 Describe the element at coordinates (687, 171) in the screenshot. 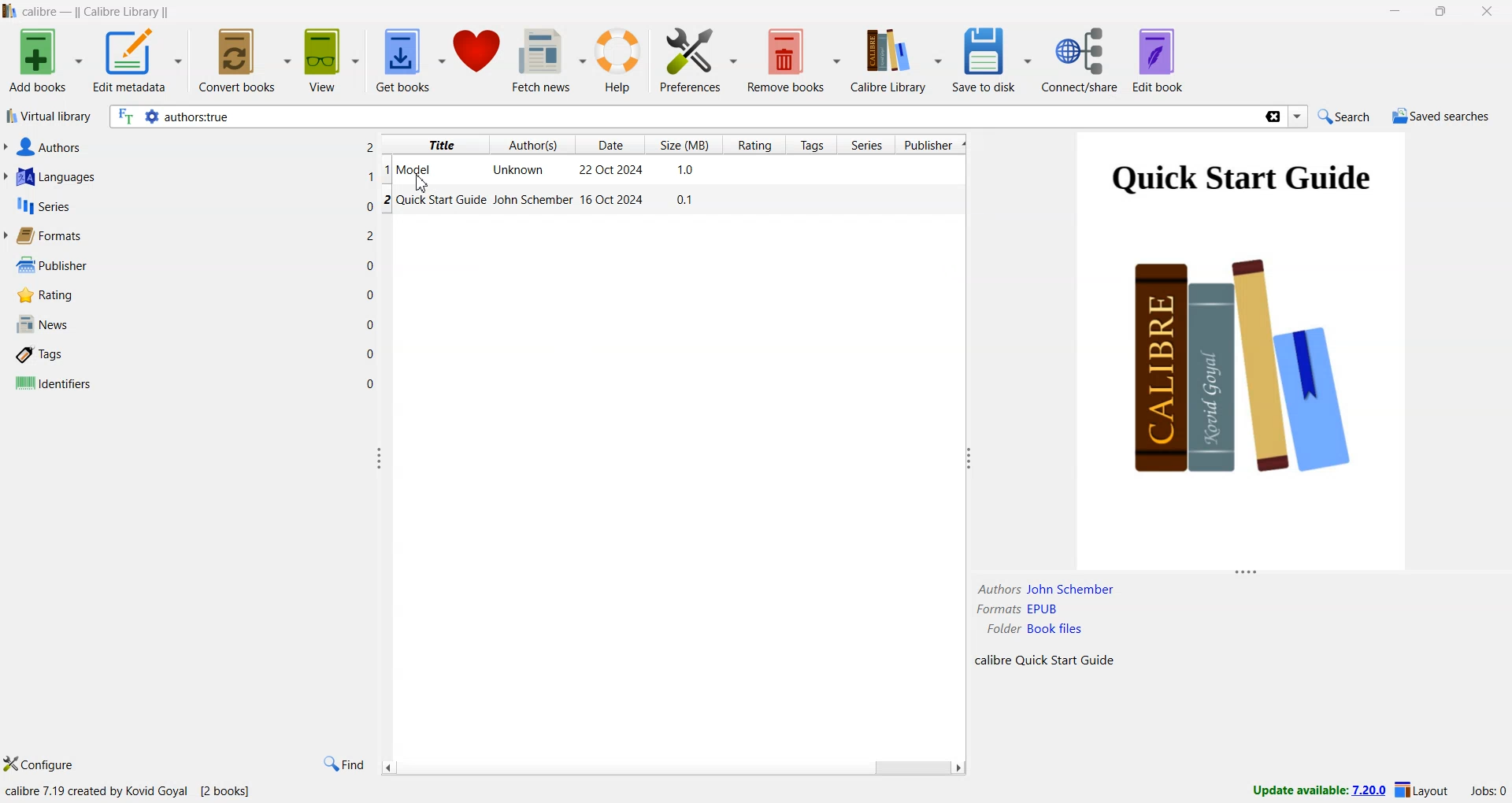

I see `size` at that location.